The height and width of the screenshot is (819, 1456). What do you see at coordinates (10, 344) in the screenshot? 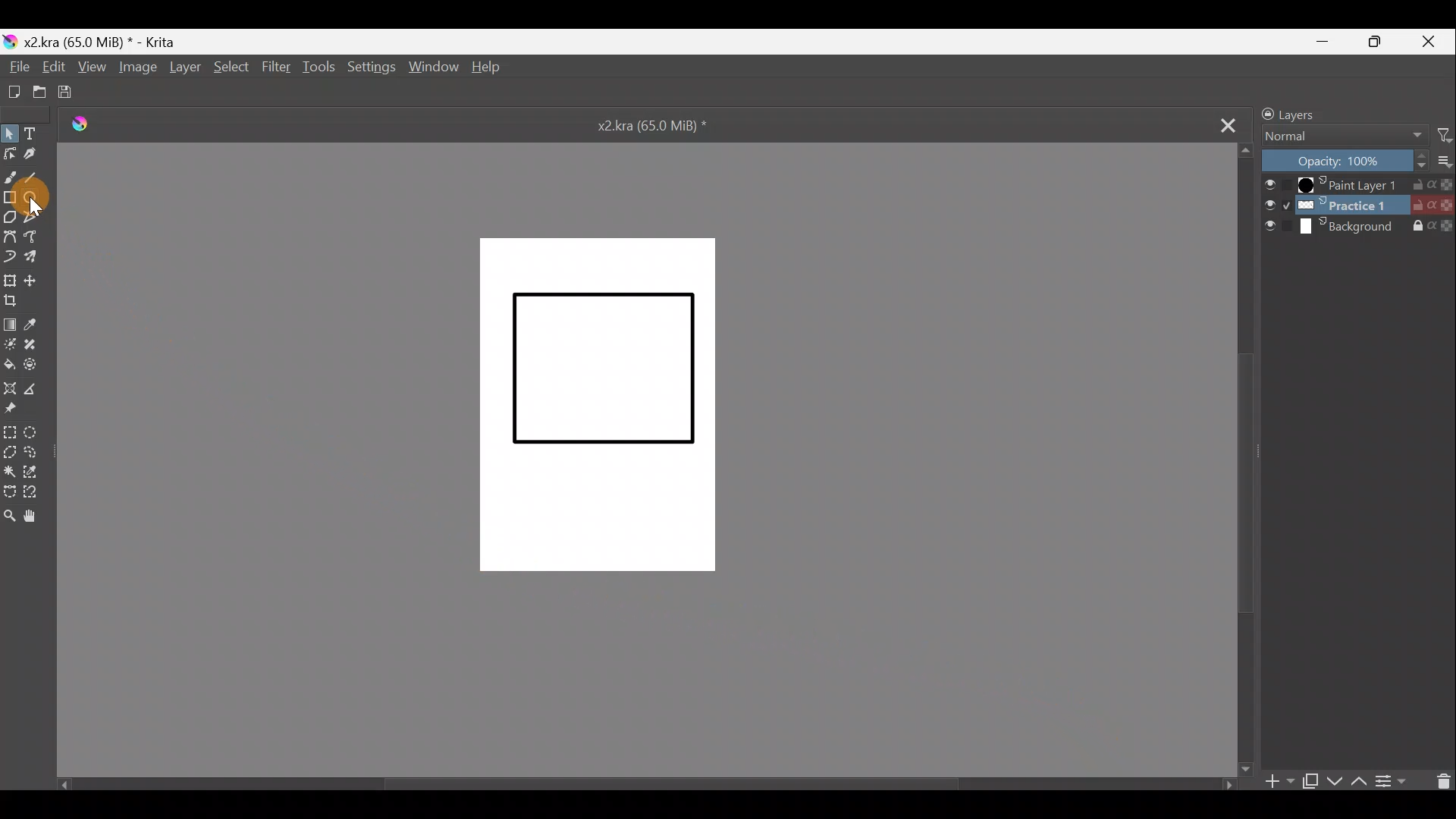
I see `Colourise mask tool` at bounding box center [10, 344].